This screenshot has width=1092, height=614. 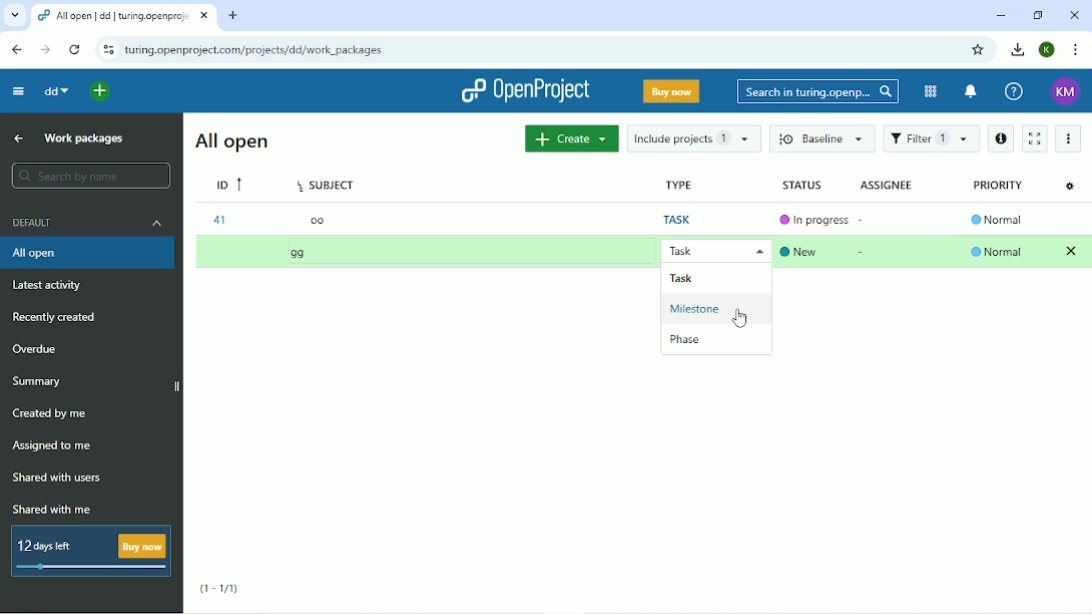 I want to click on Recently created, so click(x=62, y=317).